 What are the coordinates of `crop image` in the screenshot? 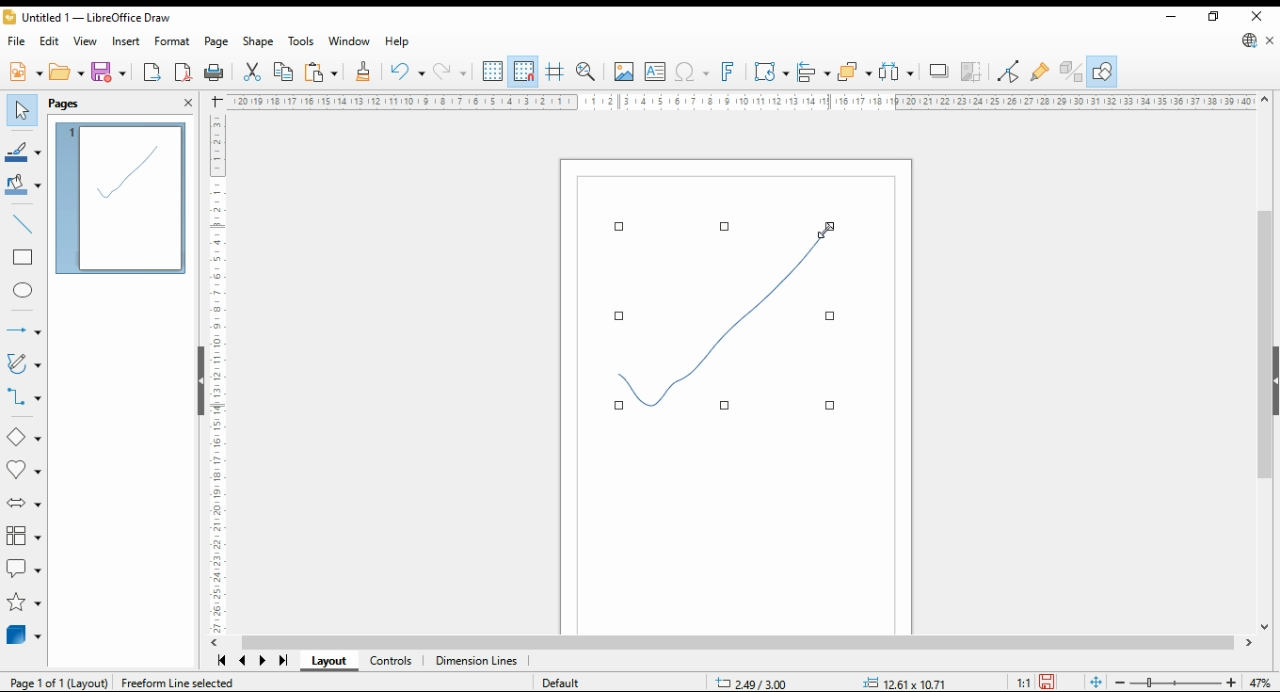 It's located at (972, 71).